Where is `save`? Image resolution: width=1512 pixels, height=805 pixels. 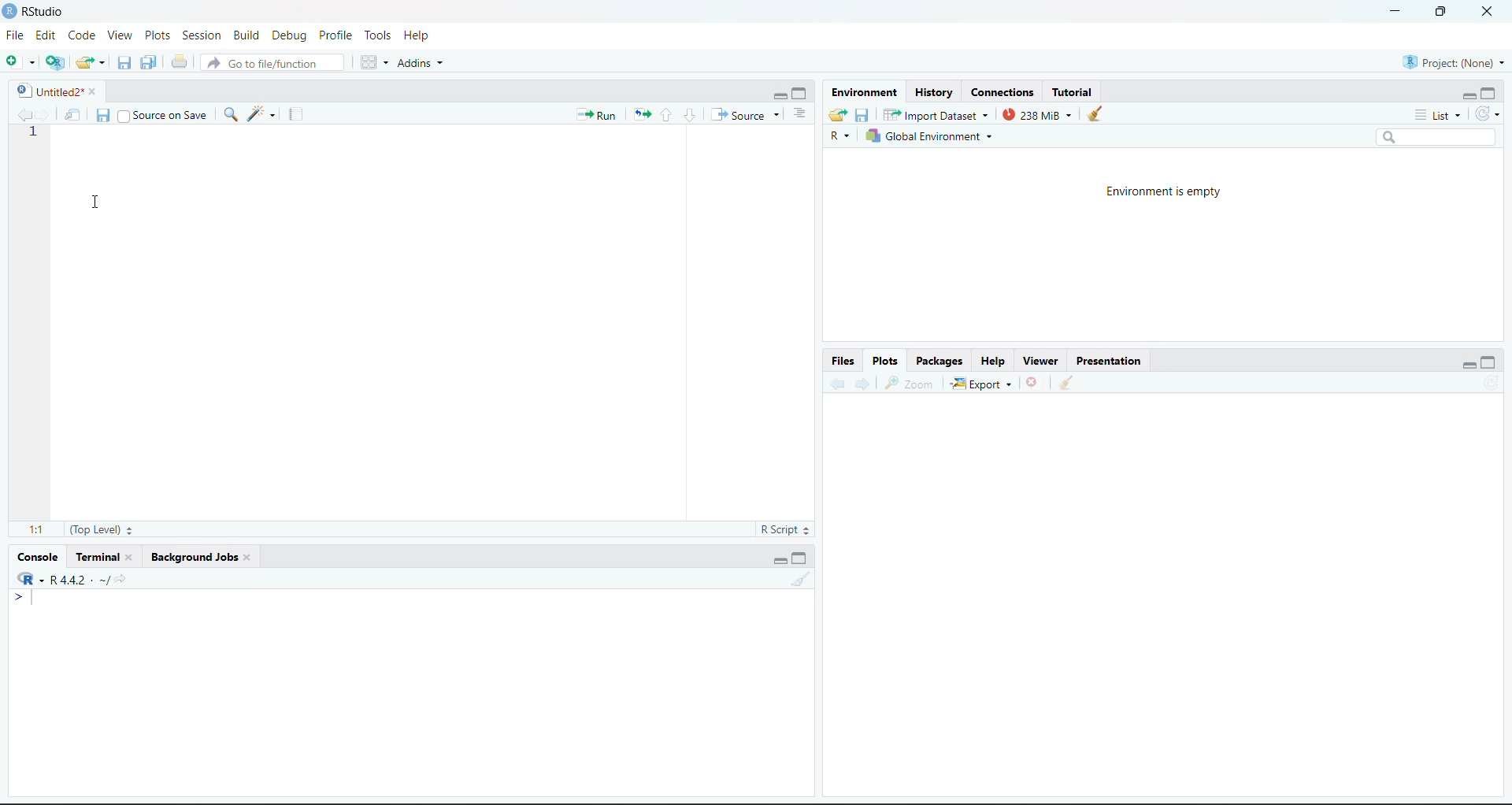 save is located at coordinates (124, 63).